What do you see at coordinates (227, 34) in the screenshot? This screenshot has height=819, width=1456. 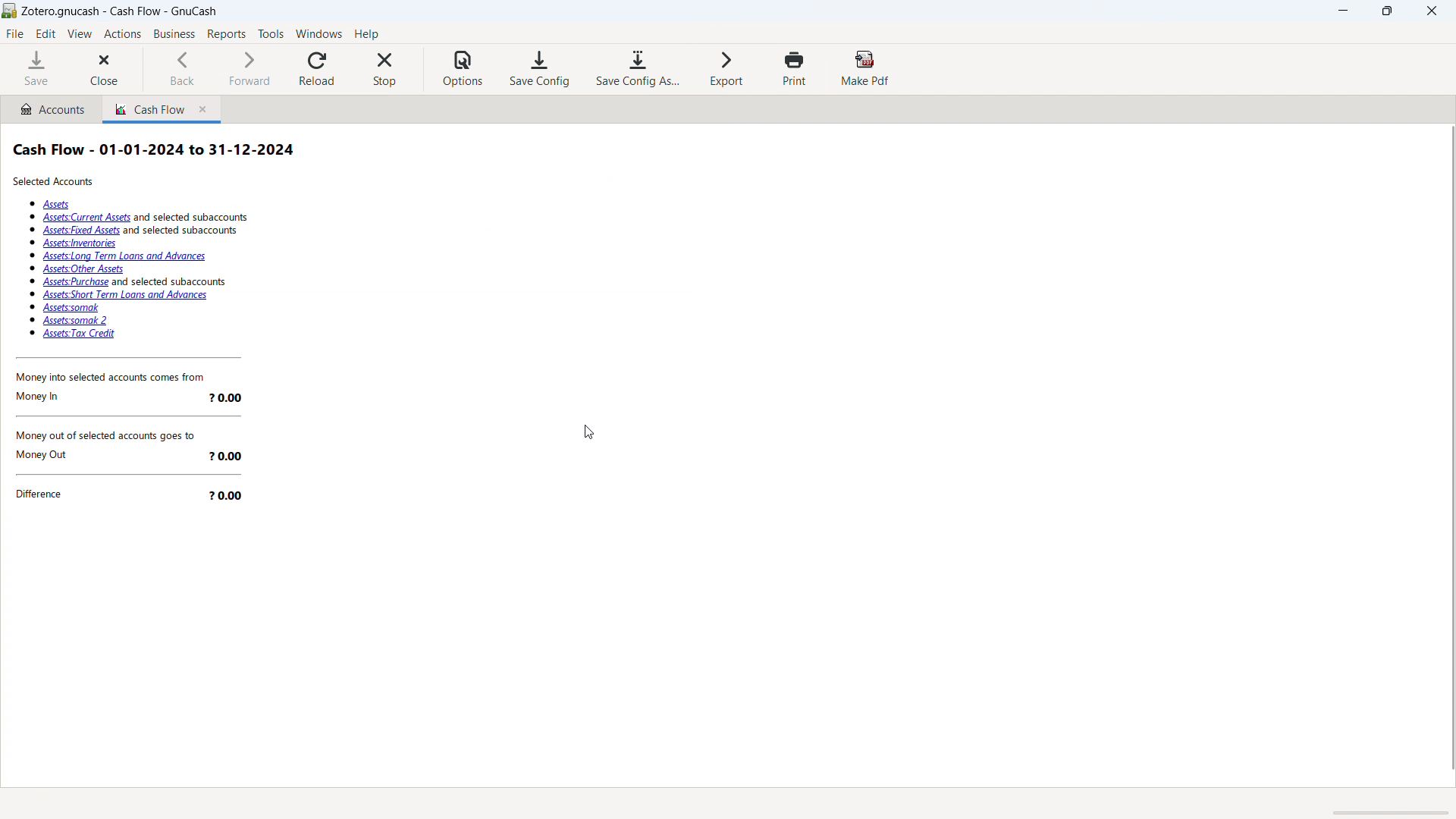 I see `reports` at bounding box center [227, 34].